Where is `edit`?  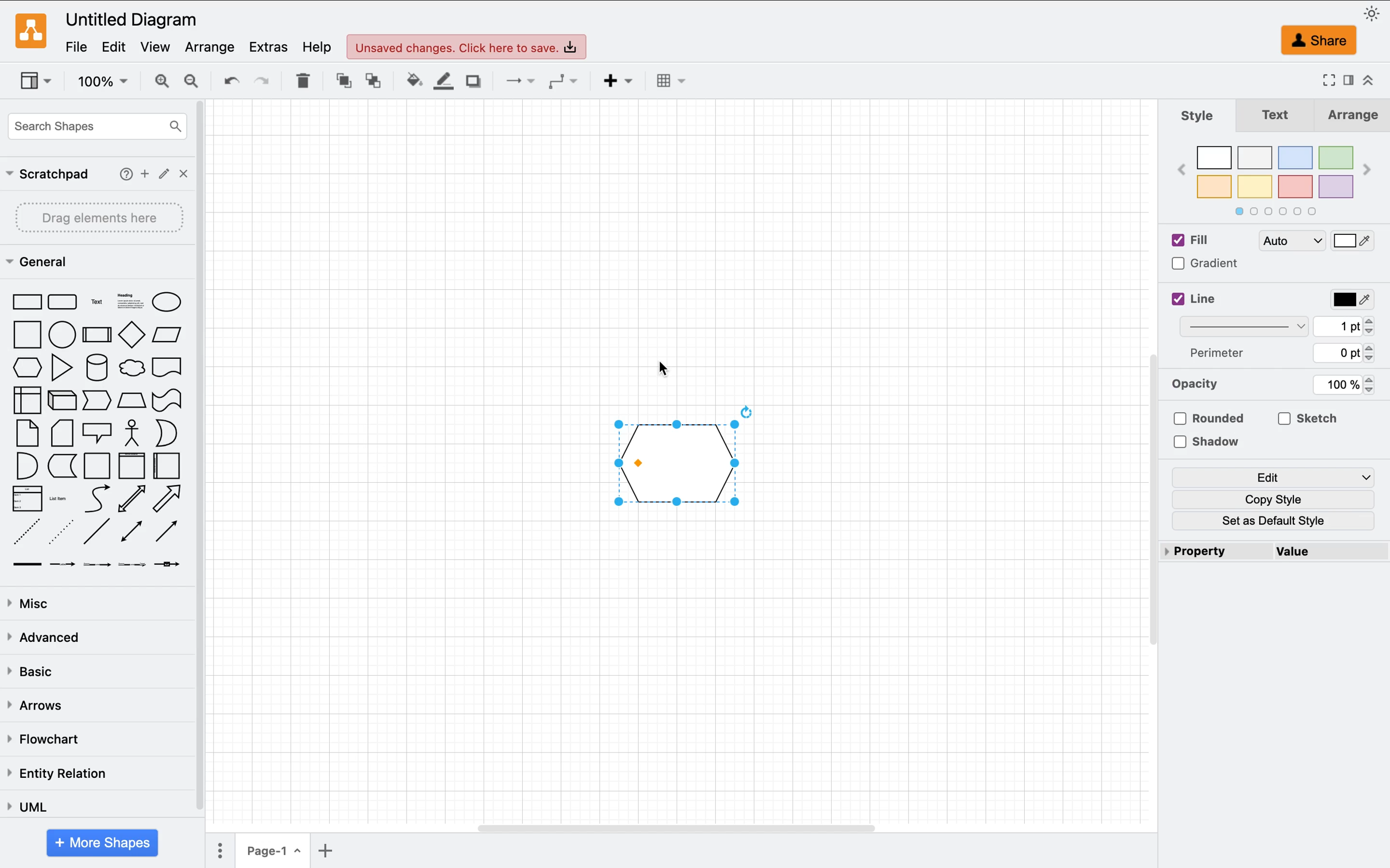
edit is located at coordinates (165, 172).